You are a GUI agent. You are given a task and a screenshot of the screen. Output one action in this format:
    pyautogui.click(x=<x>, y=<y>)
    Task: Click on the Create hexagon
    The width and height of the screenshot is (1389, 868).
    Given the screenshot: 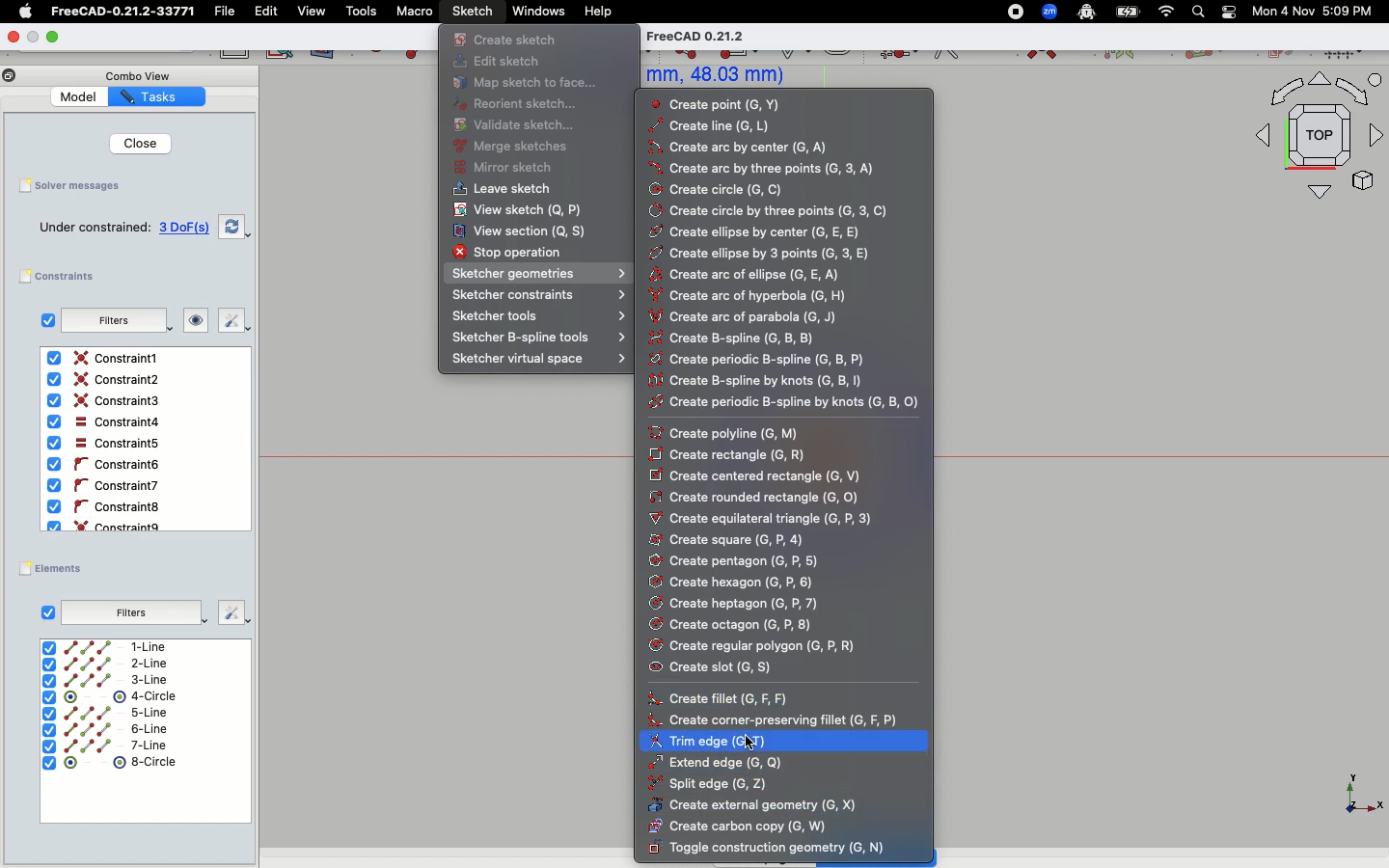 What is the action you would take?
    pyautogui.click(x=729, y=581)
    